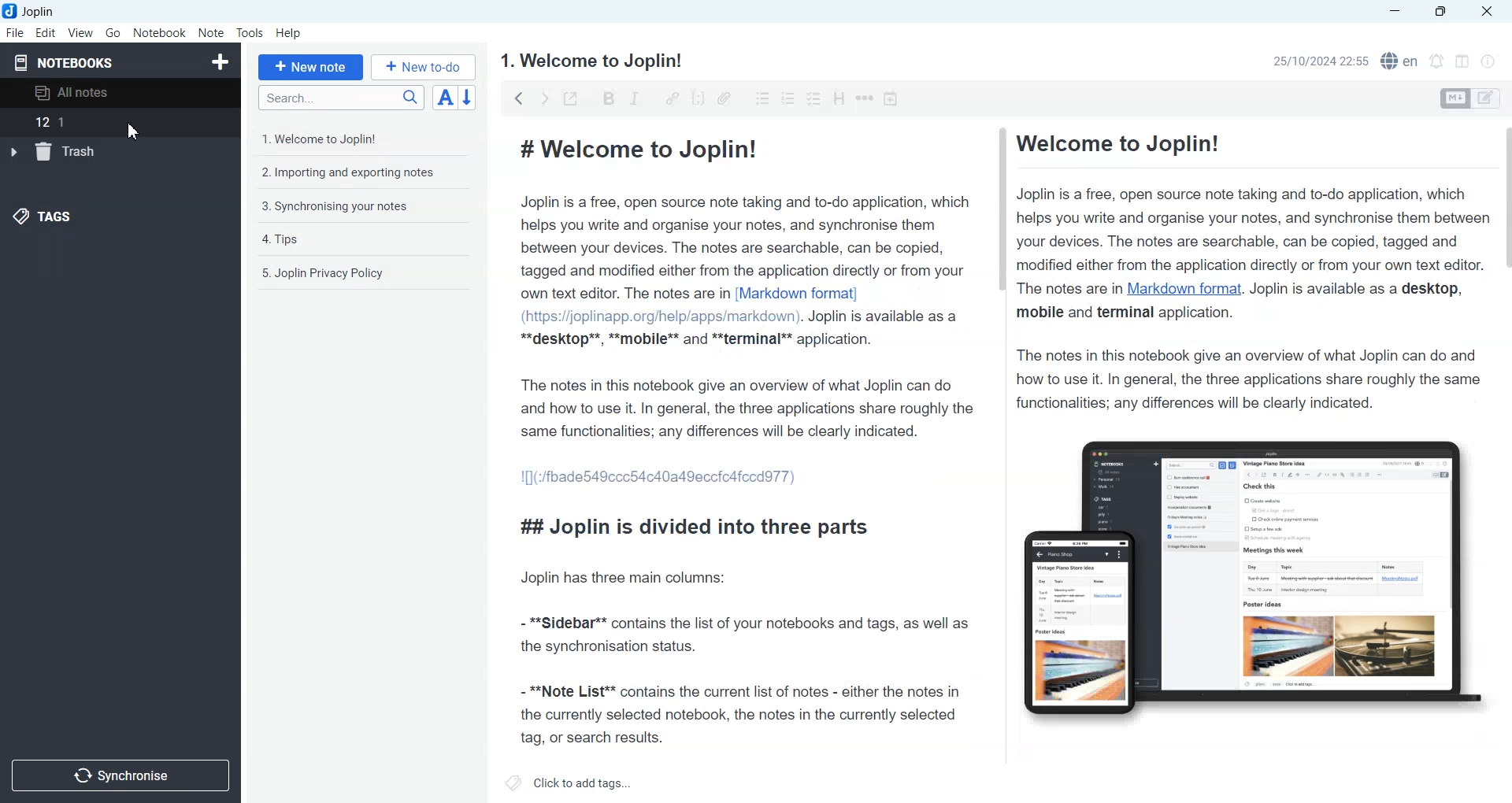 This screenshot has height=803, width=1512. Describe the element at coordinates (1244, 576) in the screenshot. I see `Figure` at that location.